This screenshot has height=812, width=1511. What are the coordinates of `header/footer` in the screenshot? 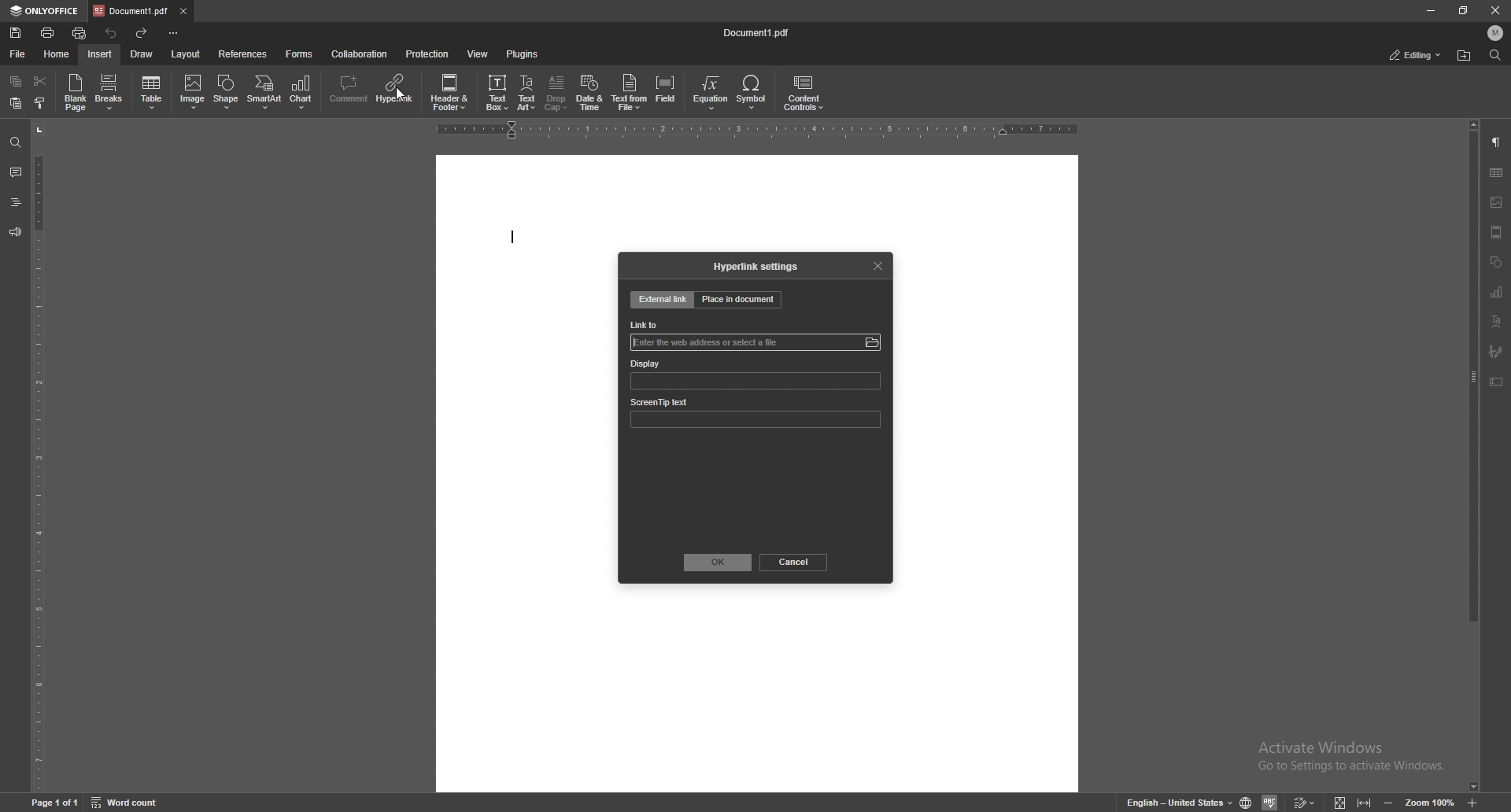 It's located at (1497, 231).